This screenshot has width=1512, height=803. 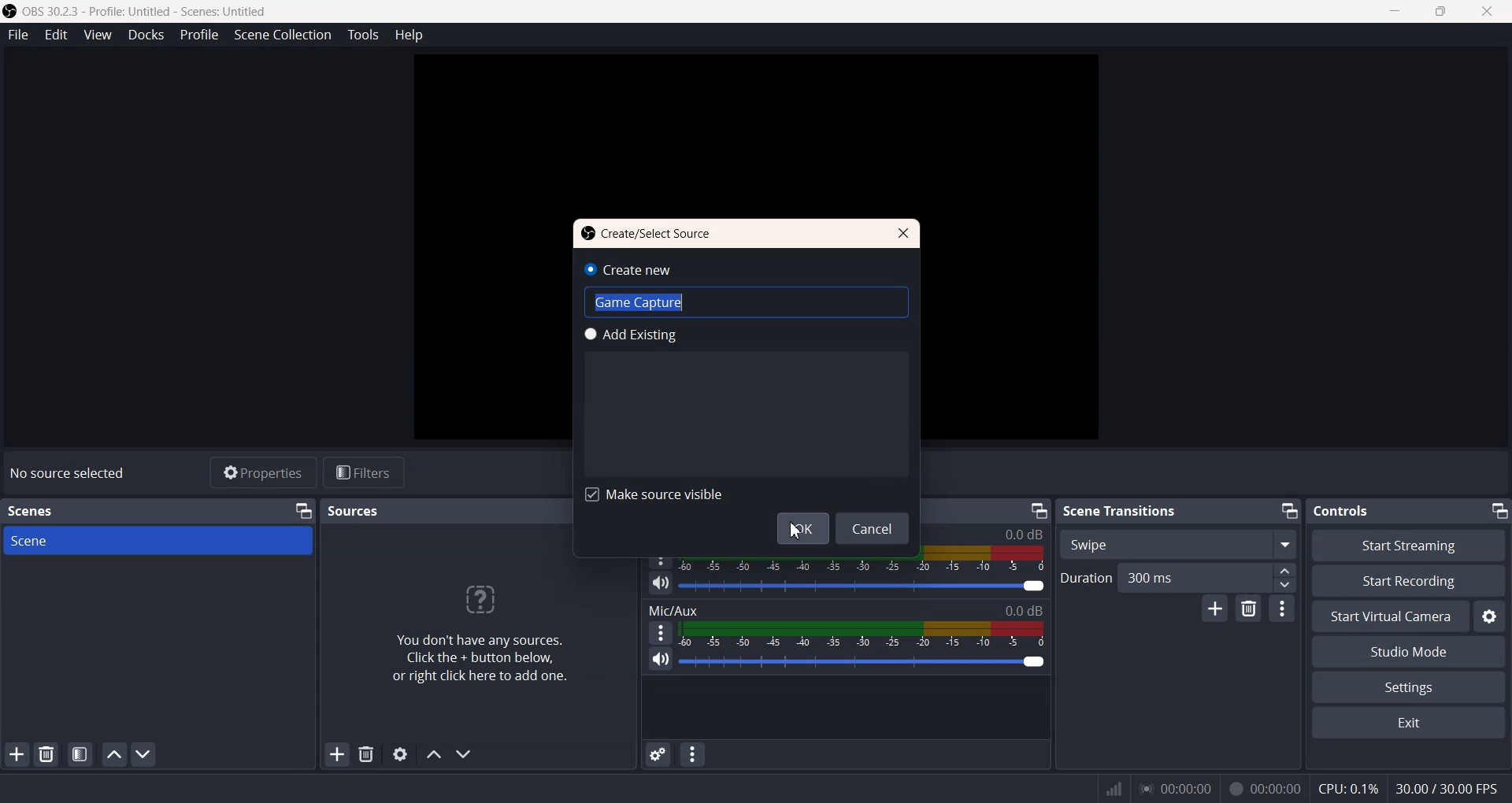 I want to click on Mute/ Unmute, so click(x=661, y=659).